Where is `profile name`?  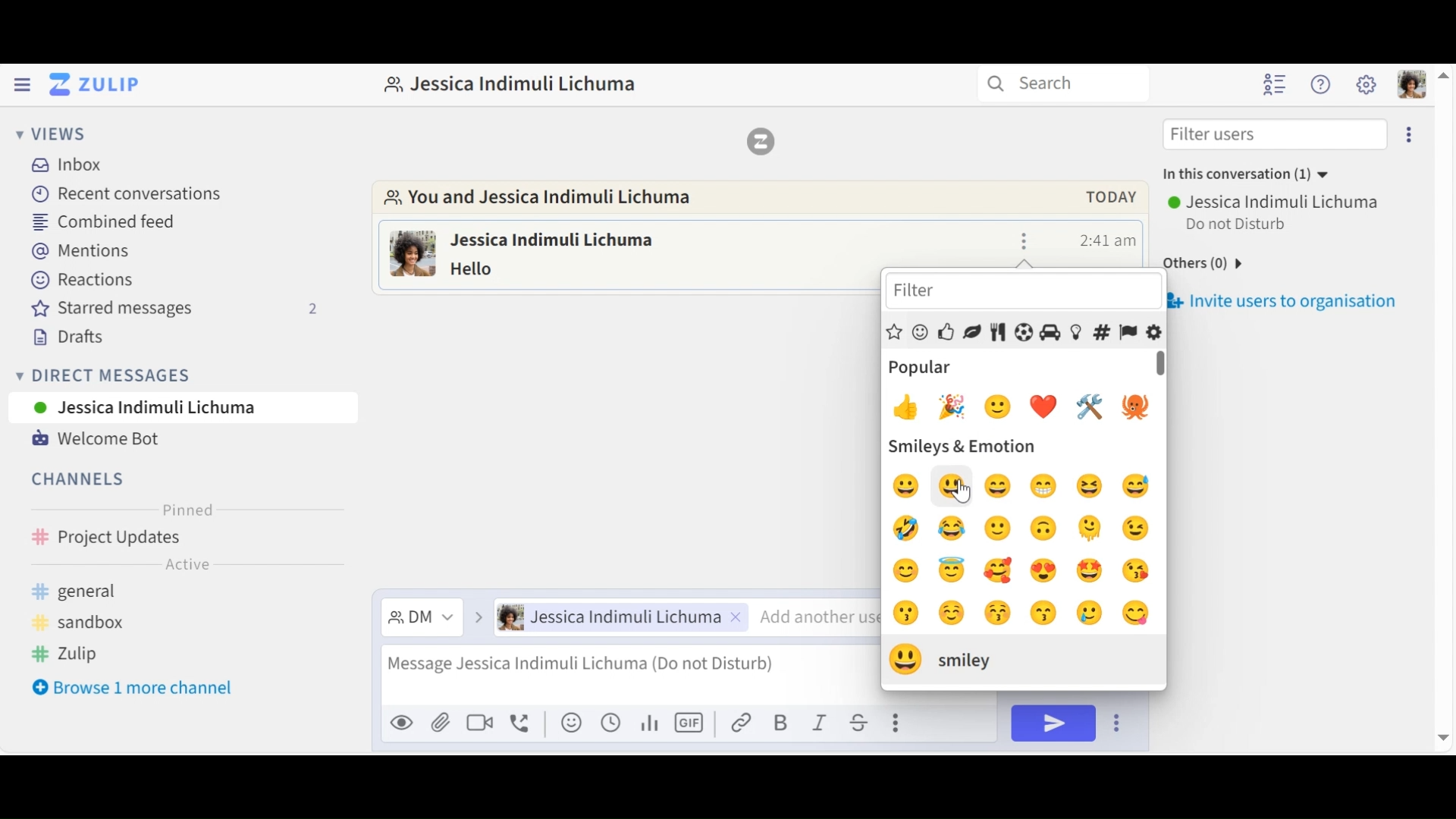
profile name is located at coordinates (510, 83).